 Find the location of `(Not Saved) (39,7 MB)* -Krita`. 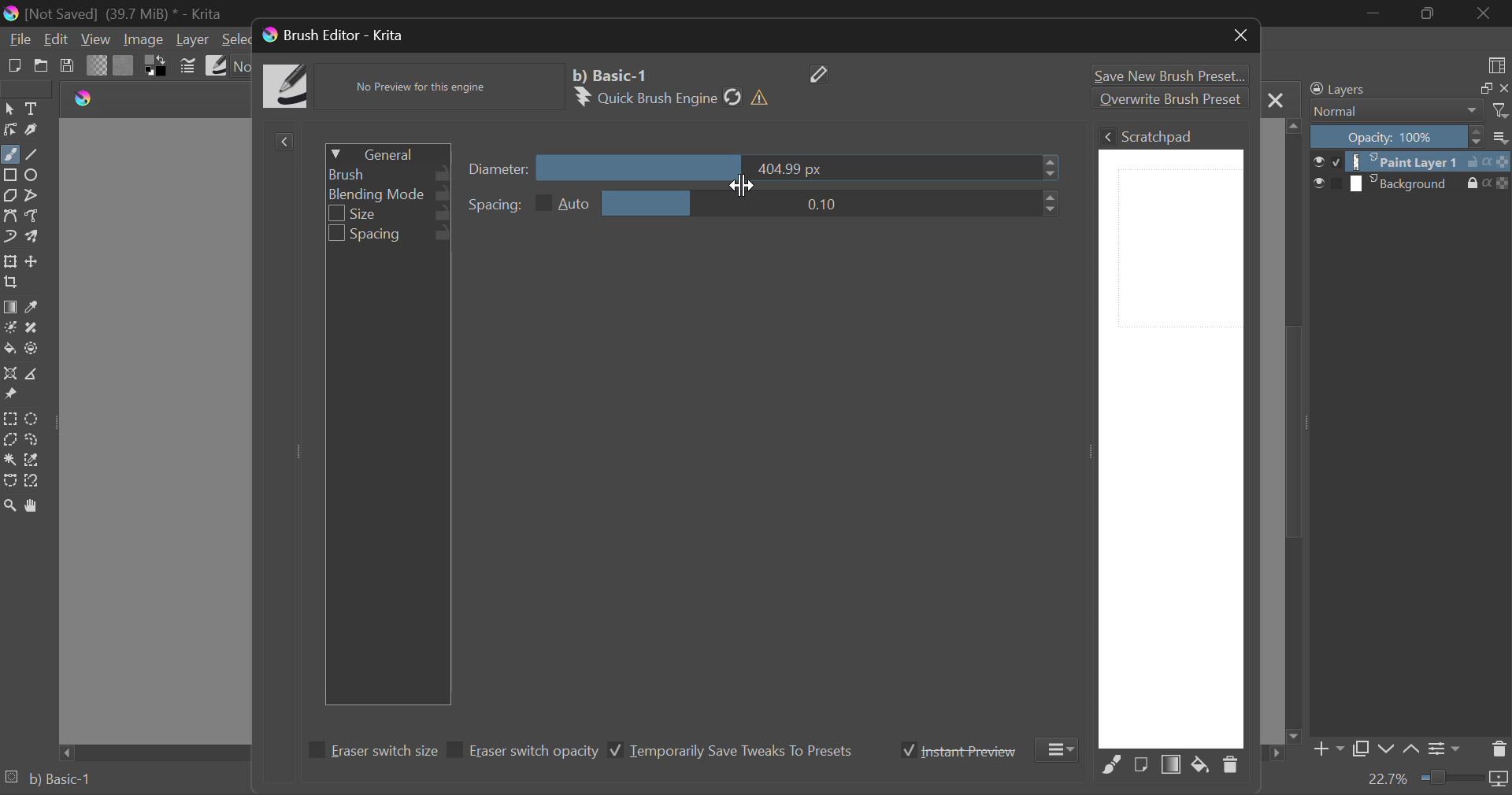

(Not Saved) (39,7 MB)* -Krita is located at coordinates (113, 13).